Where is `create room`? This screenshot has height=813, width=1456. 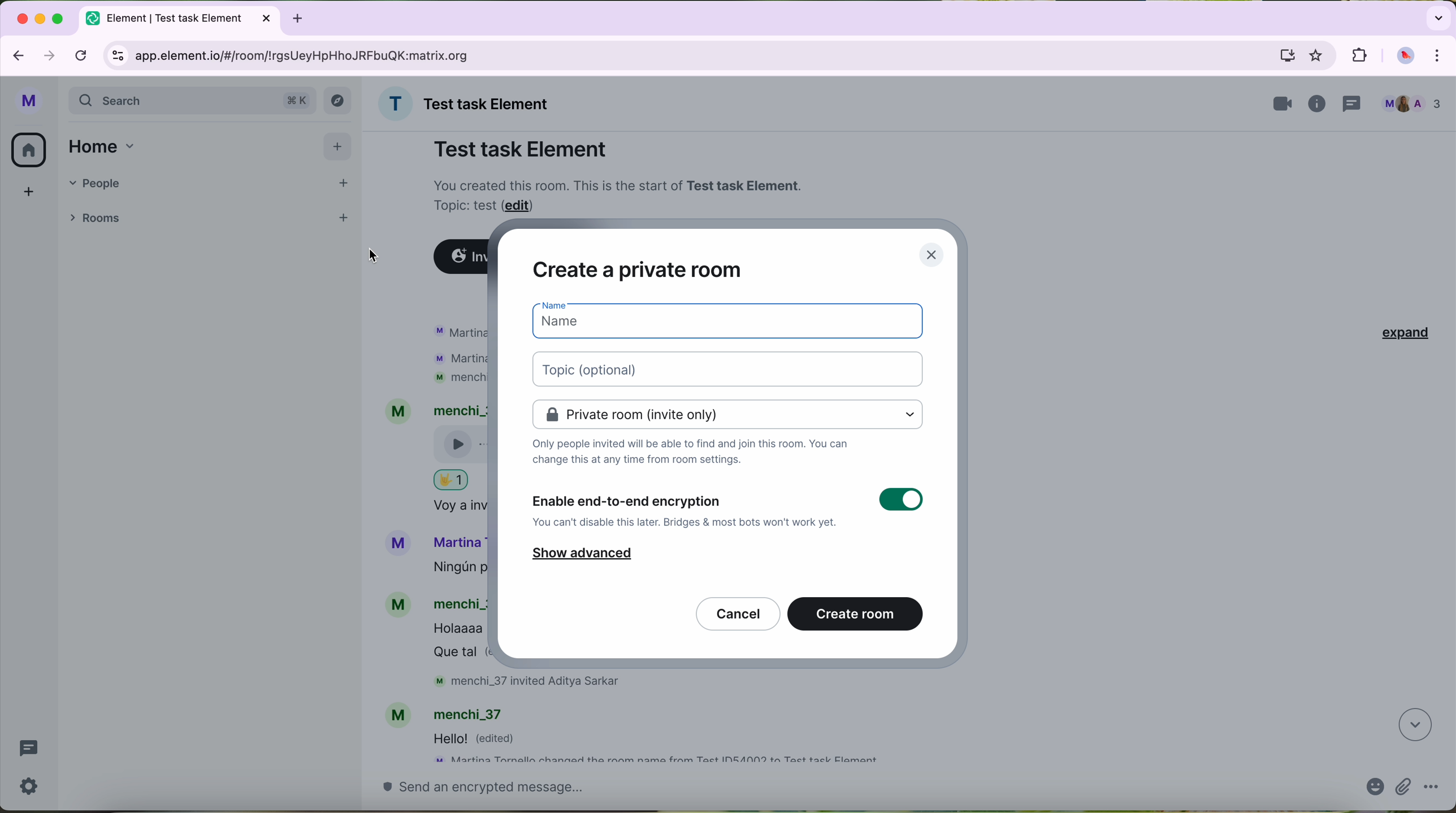
create room is located at coordinates (856, 613).